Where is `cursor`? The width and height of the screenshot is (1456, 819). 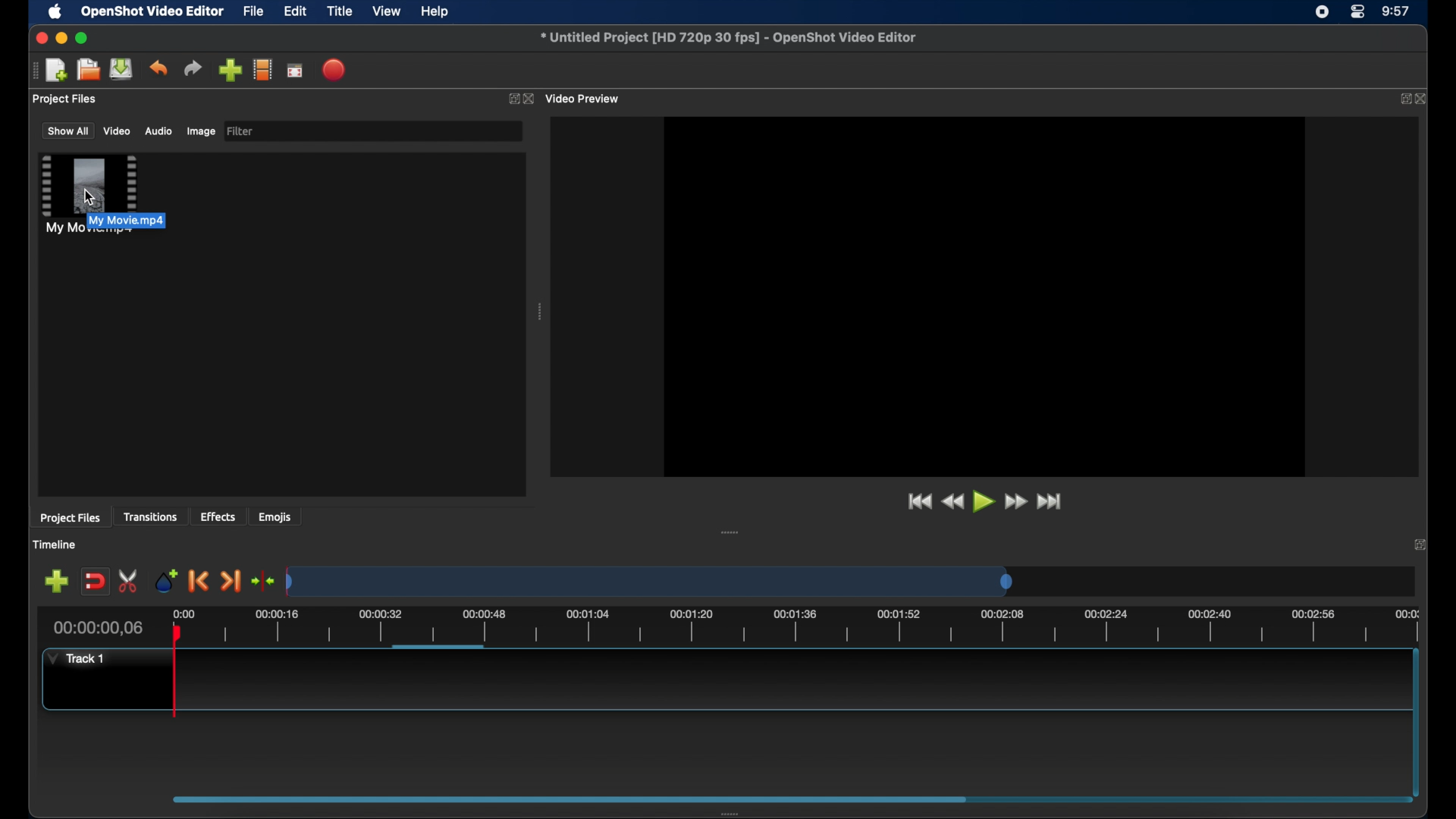 cursor is located at coordinates (89, 197).